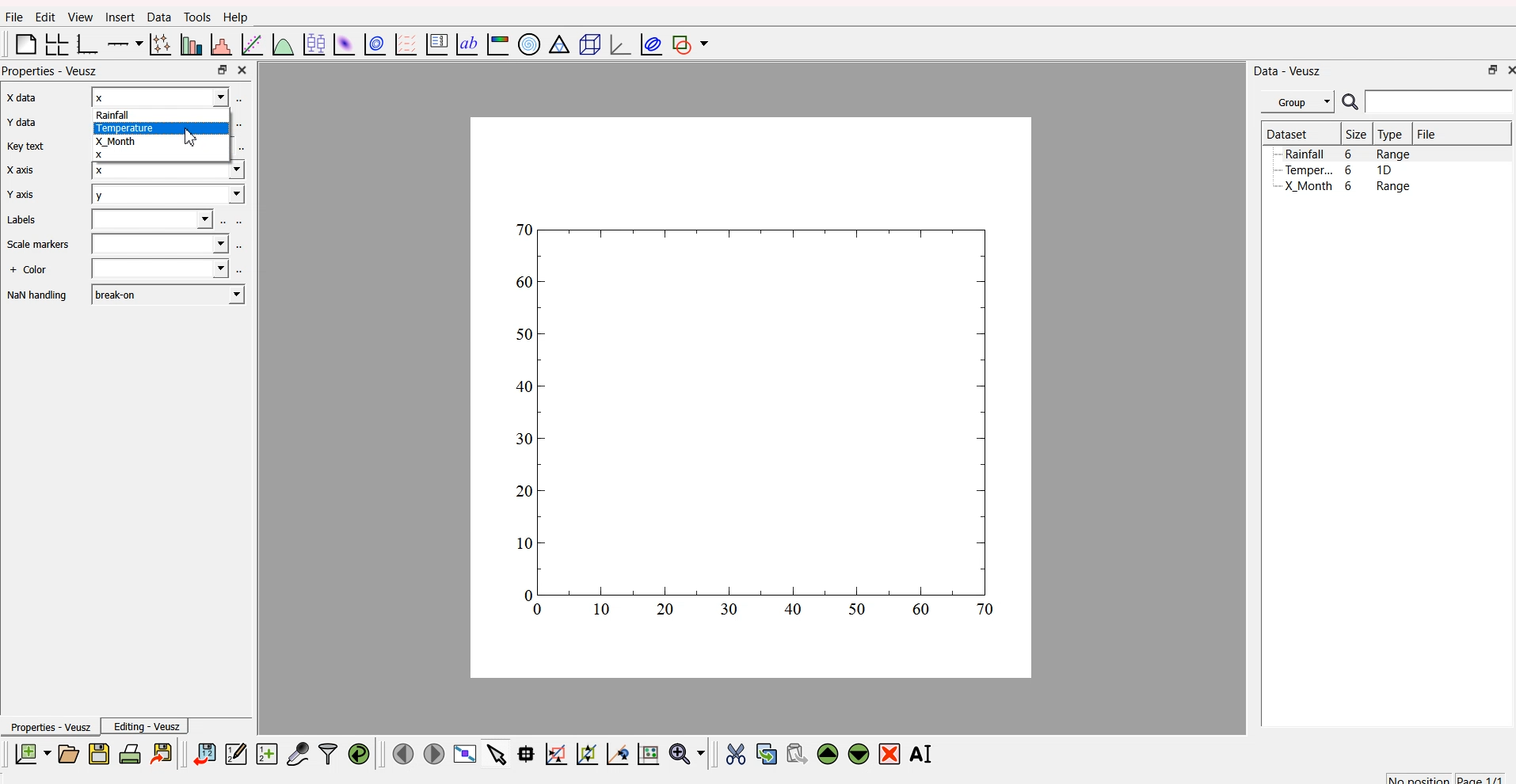  I want to click on plot data, so click(373, 44).